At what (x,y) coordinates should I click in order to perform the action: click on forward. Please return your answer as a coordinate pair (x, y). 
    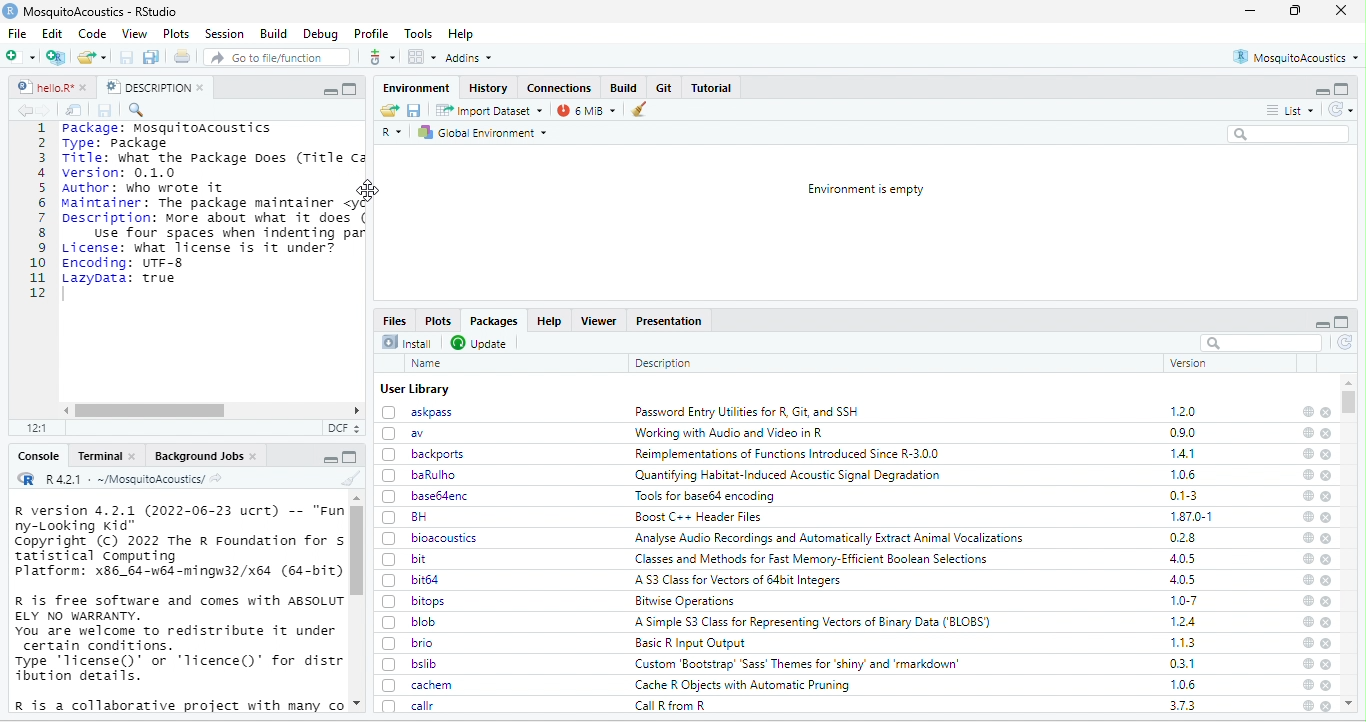
    Looking at the image, I should click on (47, 110).